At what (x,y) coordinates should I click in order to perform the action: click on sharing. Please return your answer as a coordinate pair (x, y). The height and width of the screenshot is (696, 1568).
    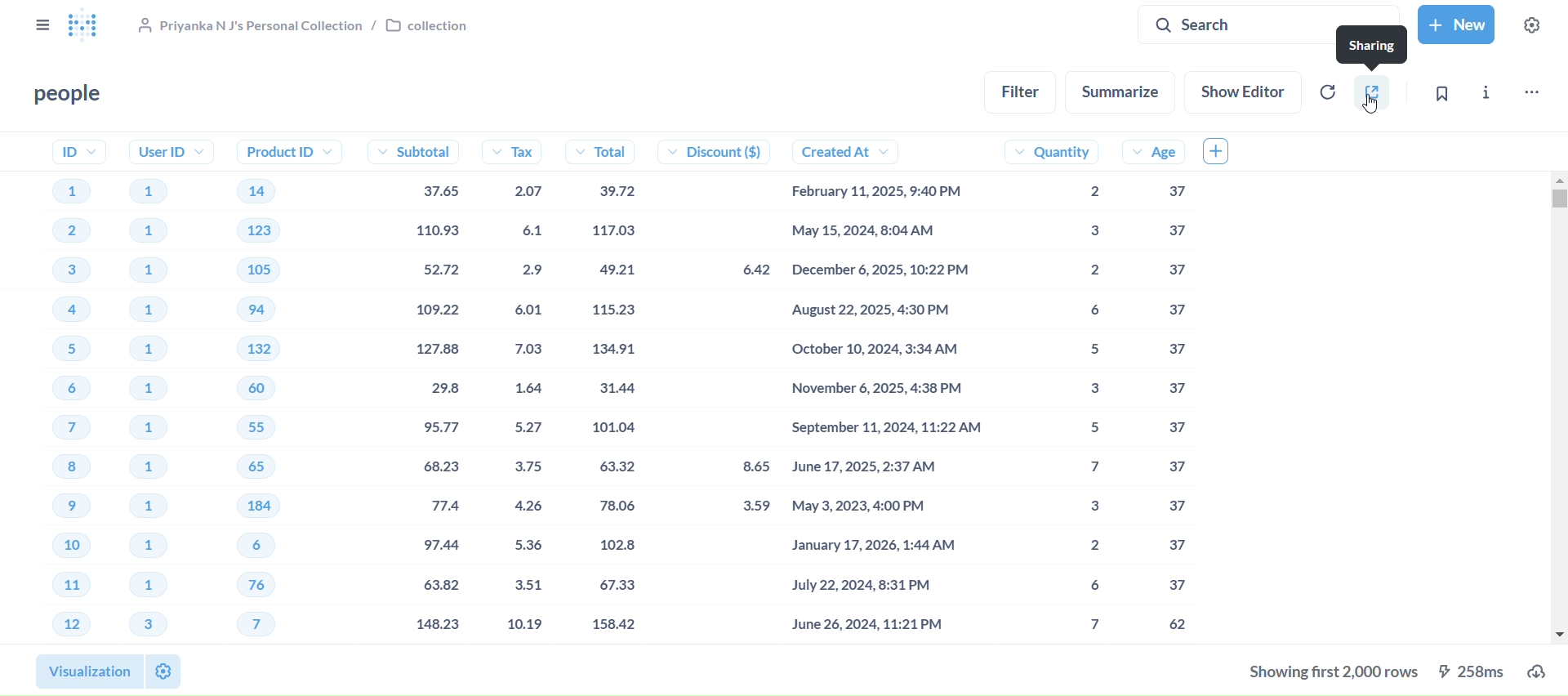
    Looking at the image, I should click on (1370, 93).